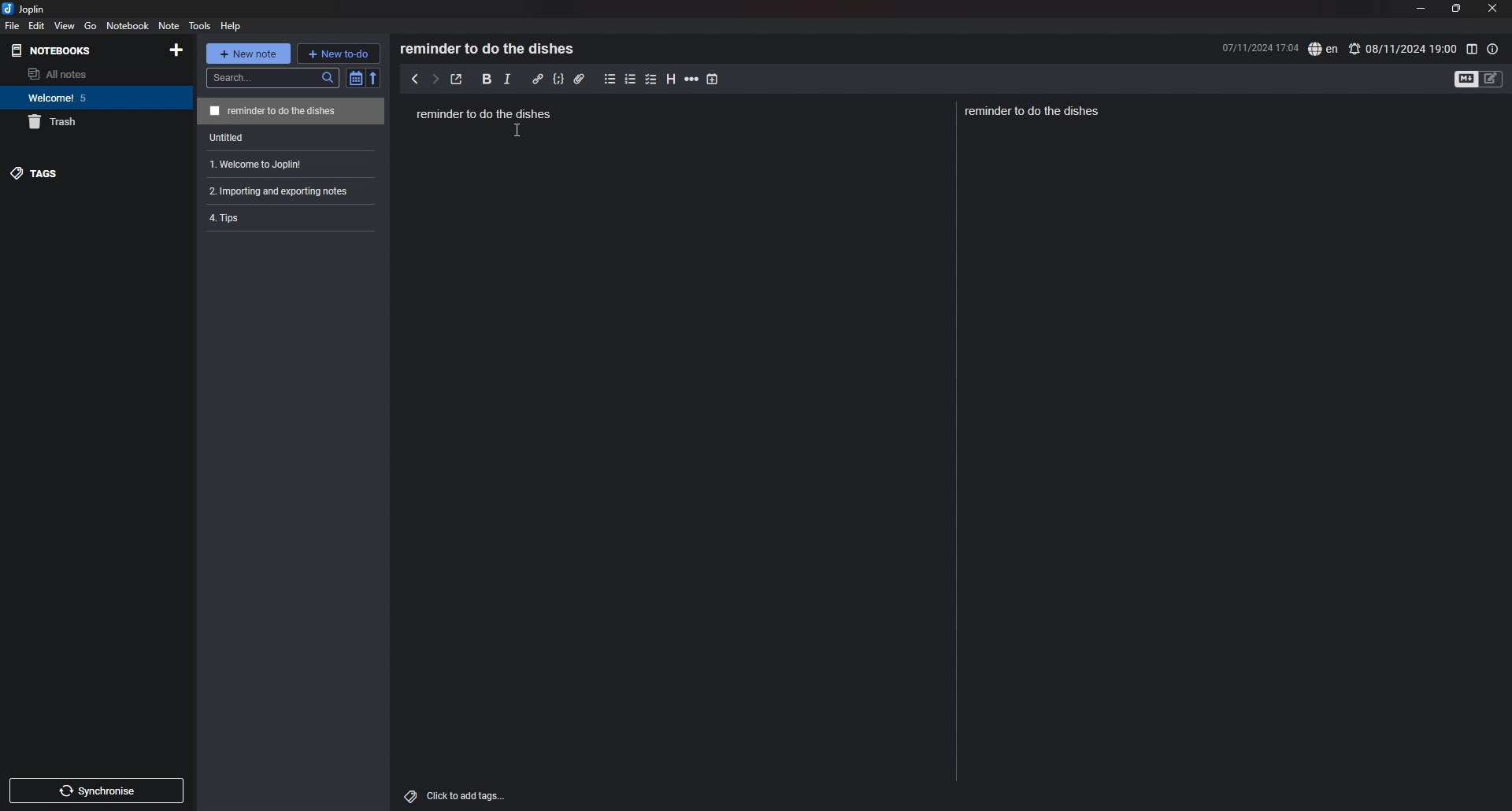 The height and width of the screenshot is (811, 1512). What do you see at coordinates (487, 79) in the screenshot?
I see `bold` at bounding box center [487, 79].